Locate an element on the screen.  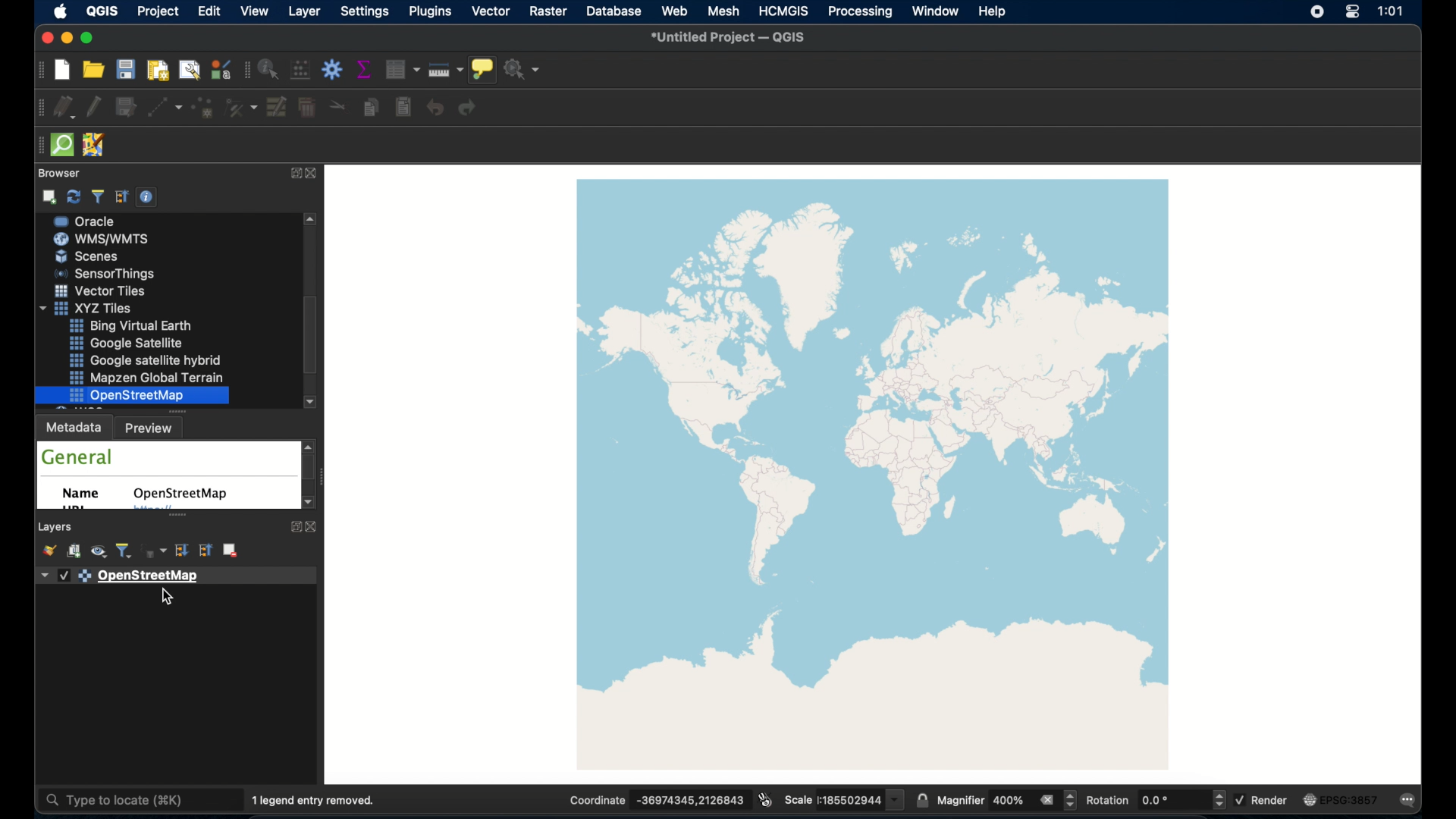
add group is located at coordinates (72, 551).